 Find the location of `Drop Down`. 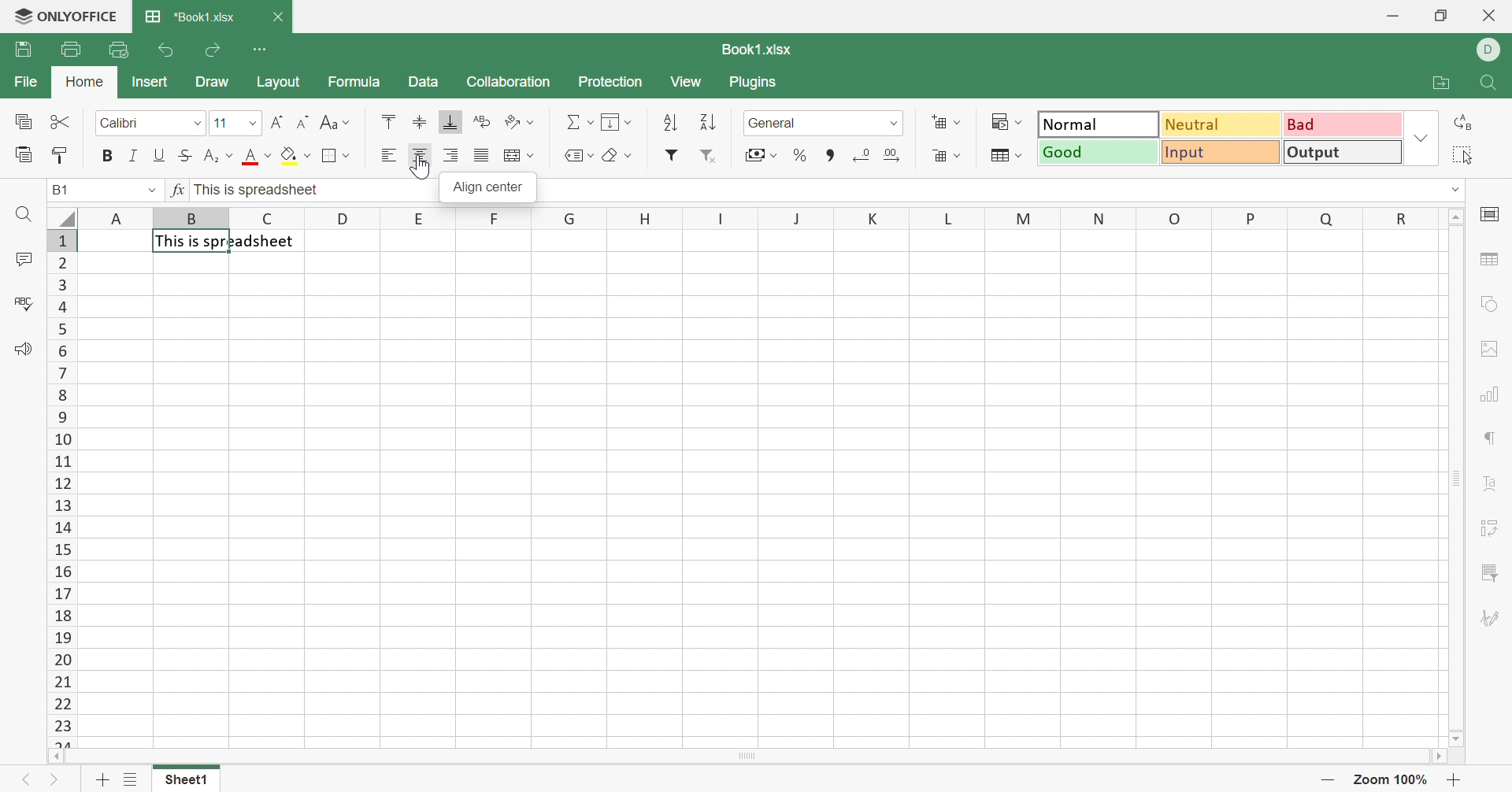

Drop Down is located at coordinates (1020, 154).